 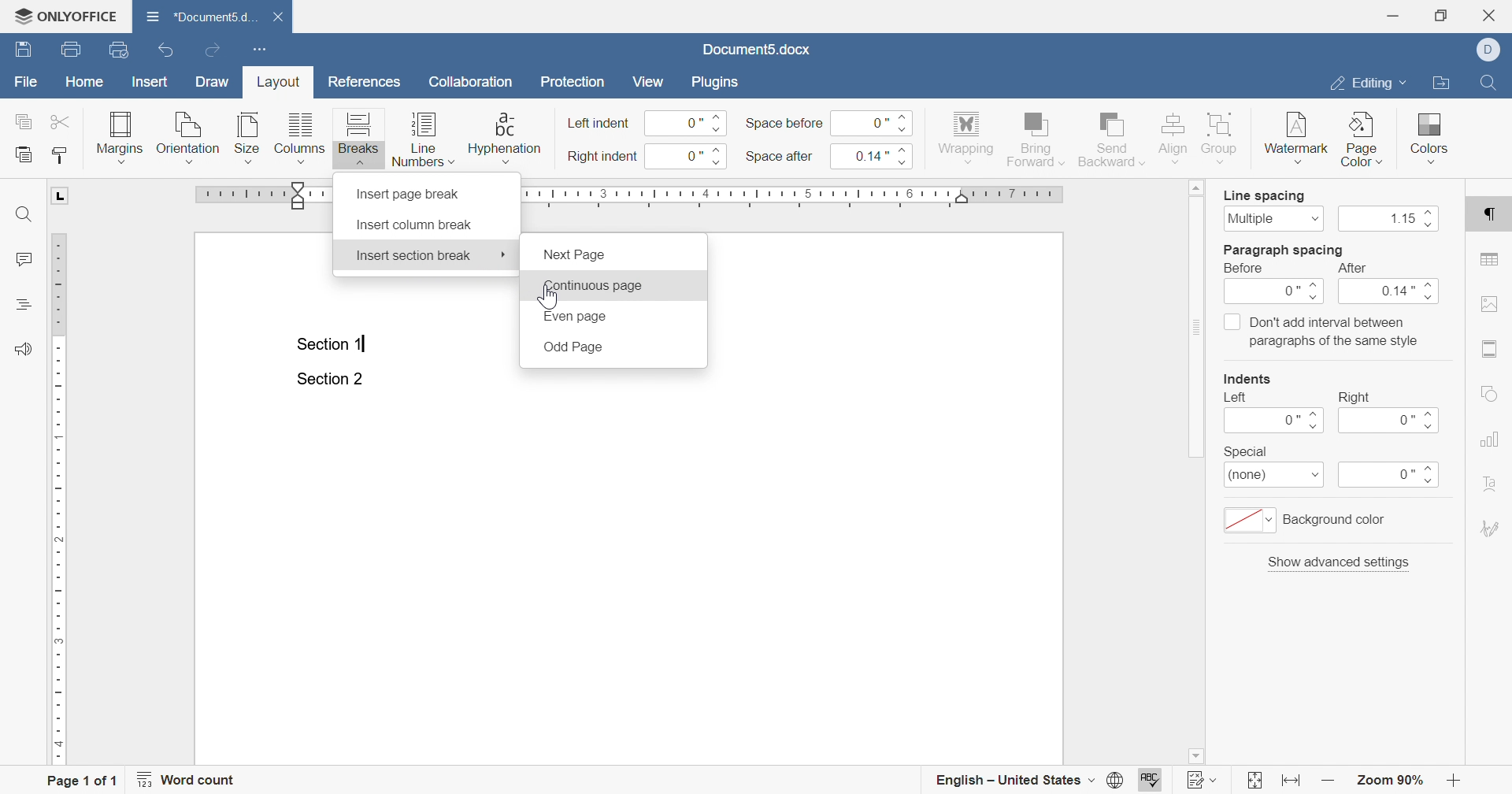 I want to click on L, so click(x=61, y=196).